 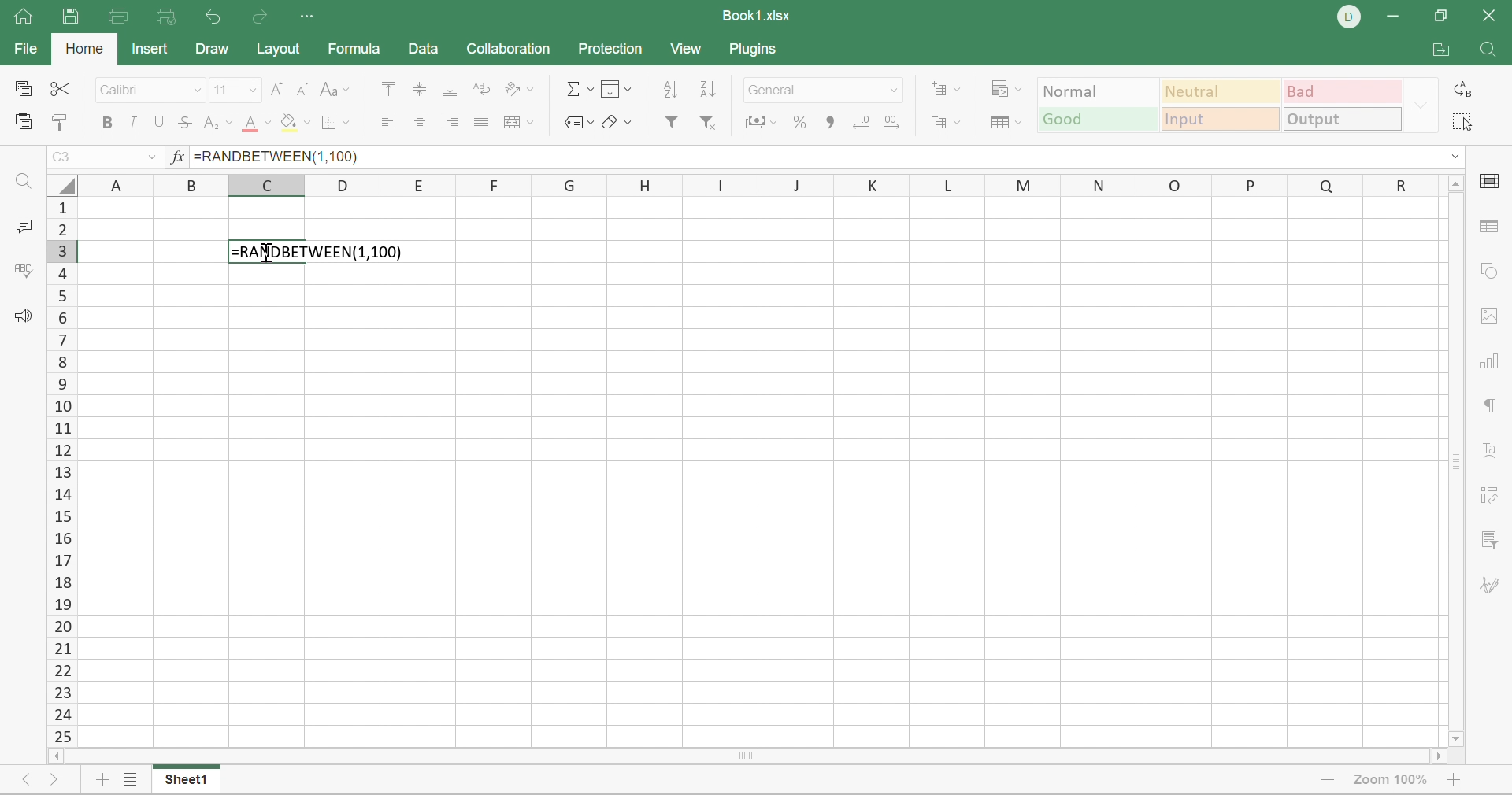 I want to click on Remove filter, so click(x=710, y=121).